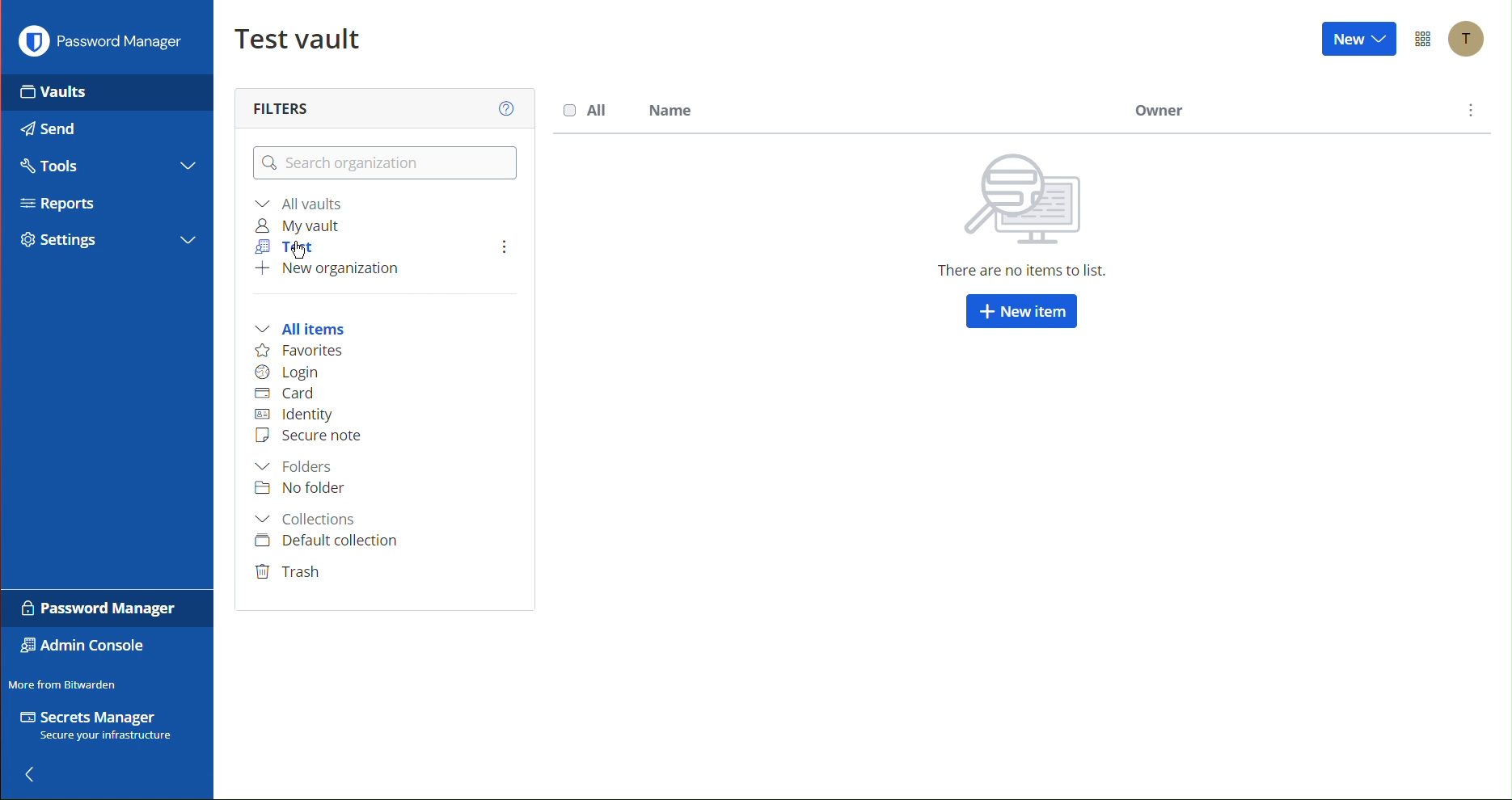 The image size is (1512, 800). I want to click on New item, so click(1019, 314).